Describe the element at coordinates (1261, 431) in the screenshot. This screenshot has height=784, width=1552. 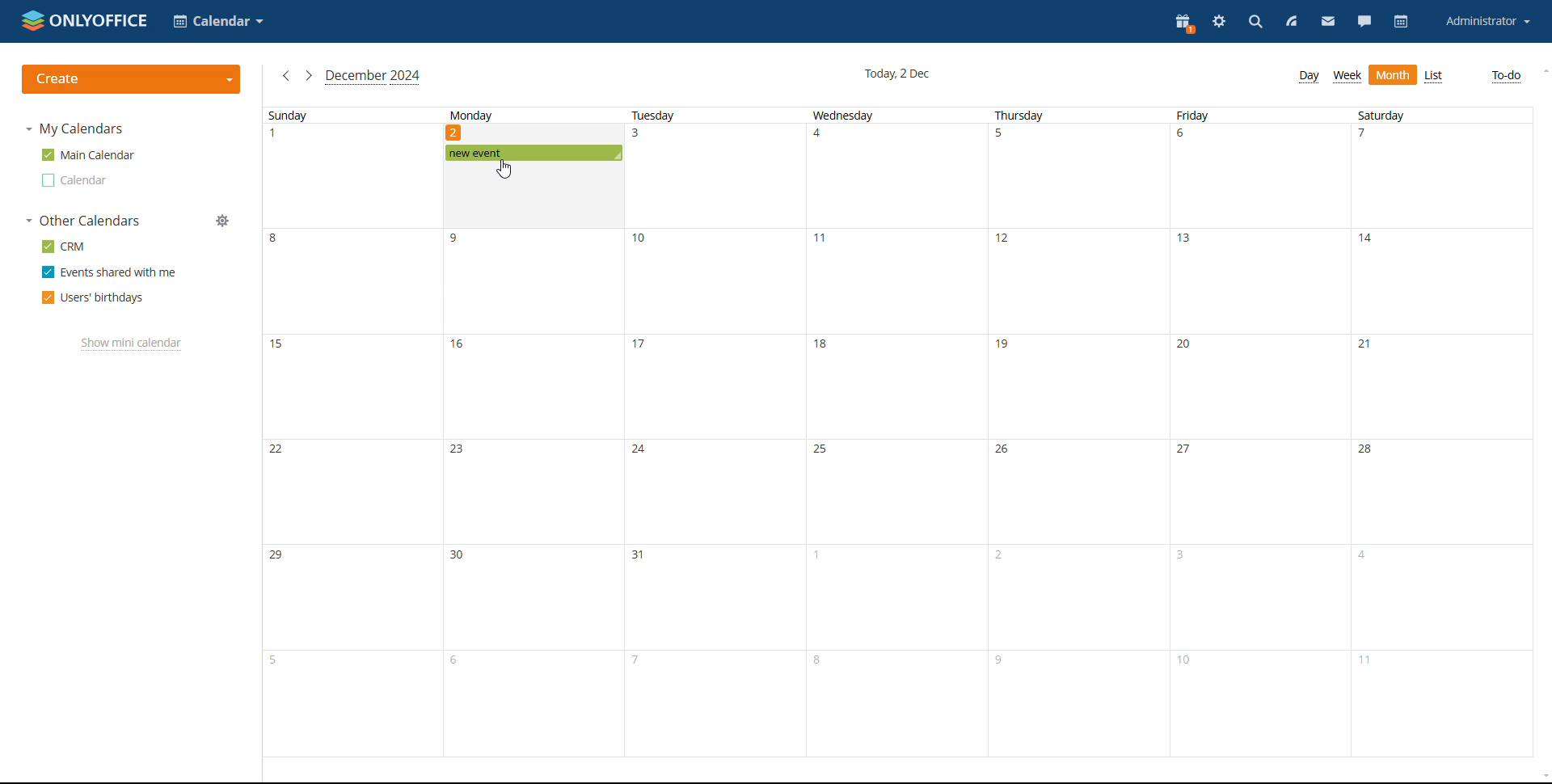
I see `friday` at that location.